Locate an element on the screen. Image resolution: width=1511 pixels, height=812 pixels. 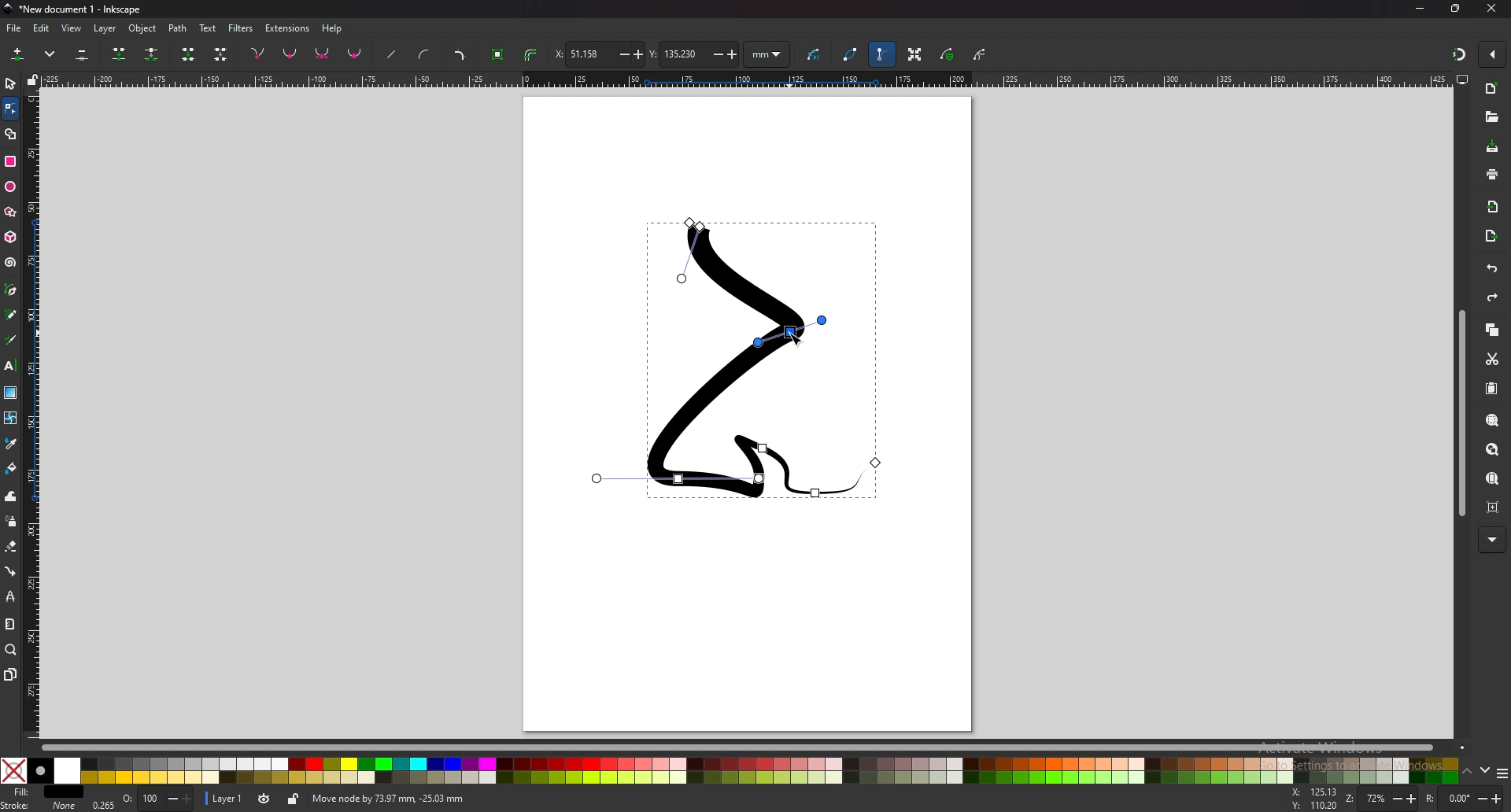
star and polygon is located at coordinates (11, 212).